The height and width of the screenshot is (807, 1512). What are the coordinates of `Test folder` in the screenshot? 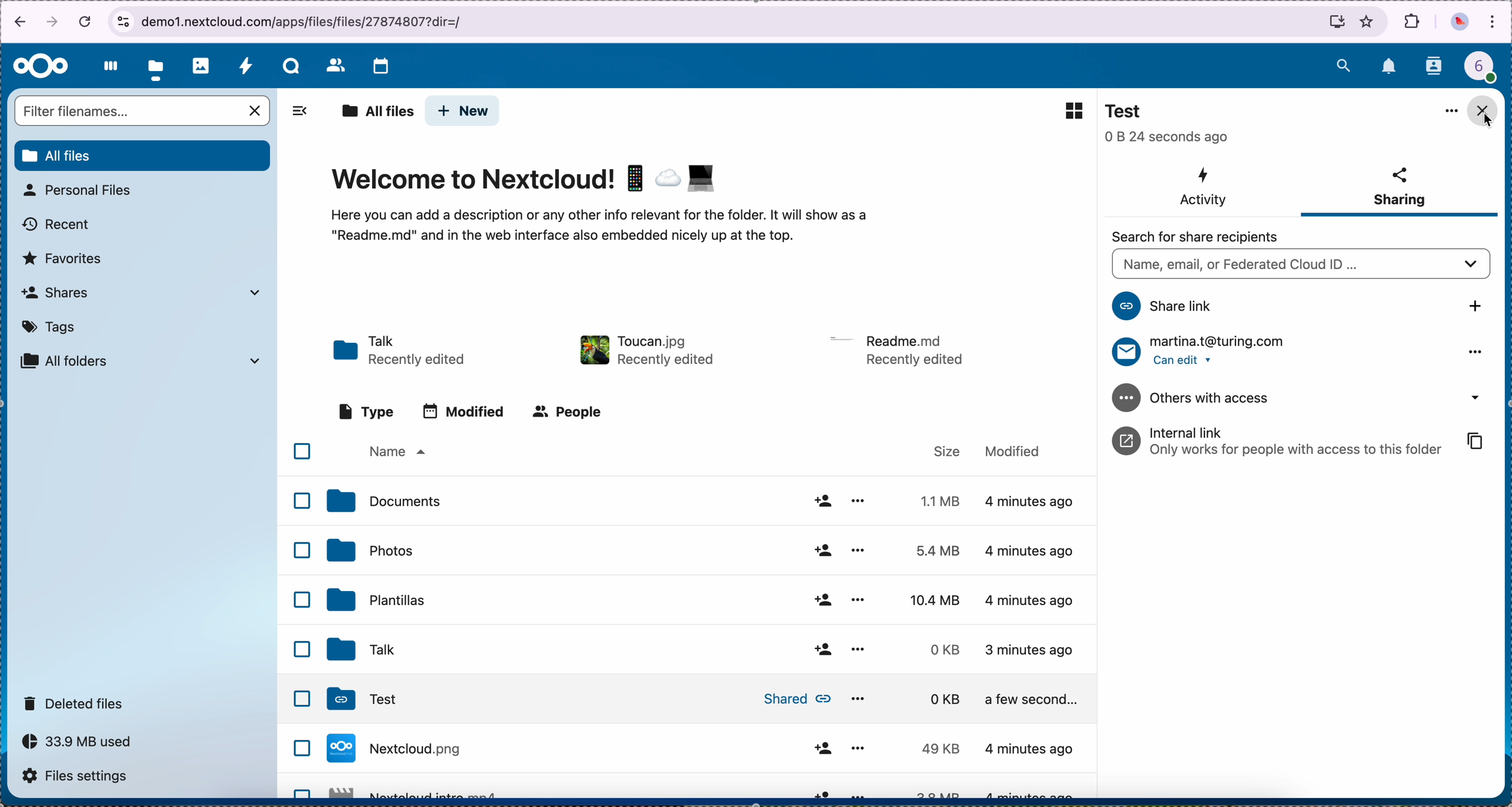 It's located at (713, 700).